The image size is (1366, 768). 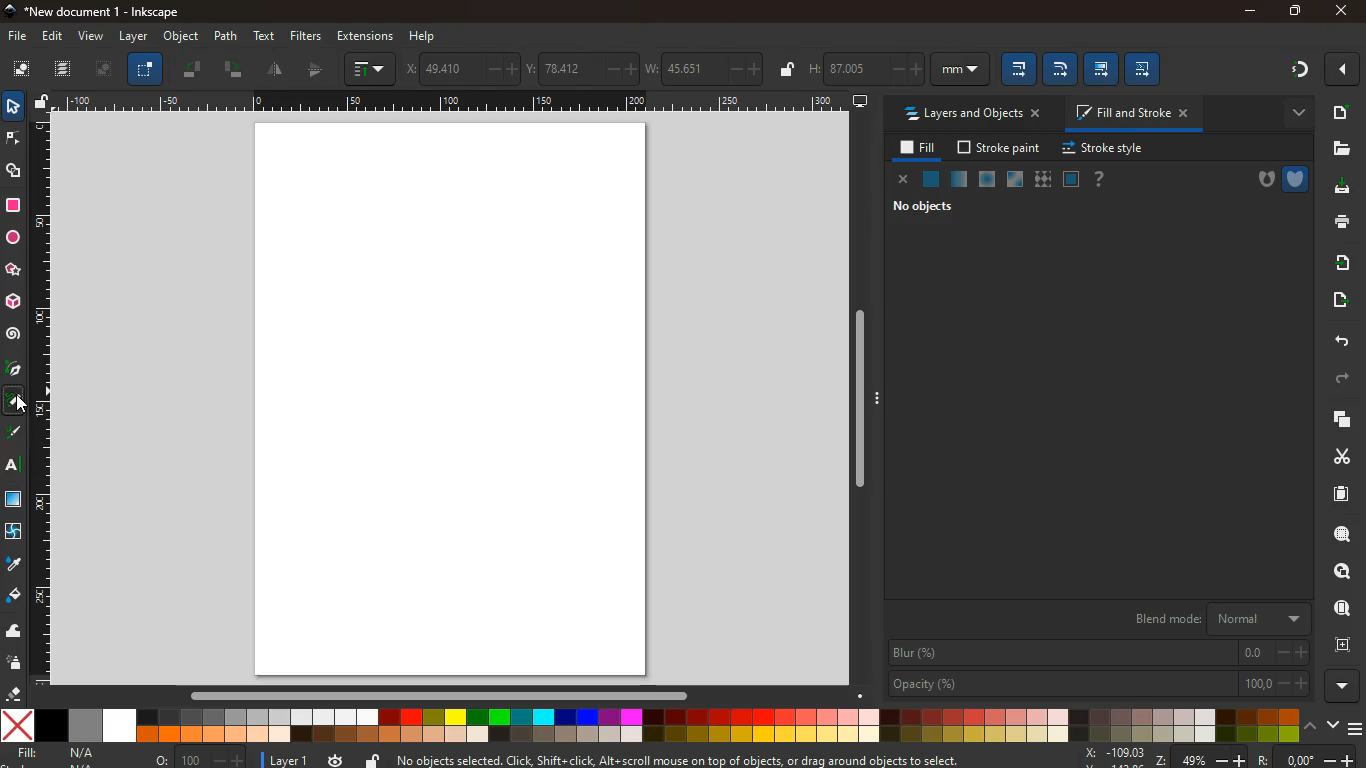 What do you see at coordinates (1342, 534) in the screenshot?
I see `find` at bounding box center [1342, 534].